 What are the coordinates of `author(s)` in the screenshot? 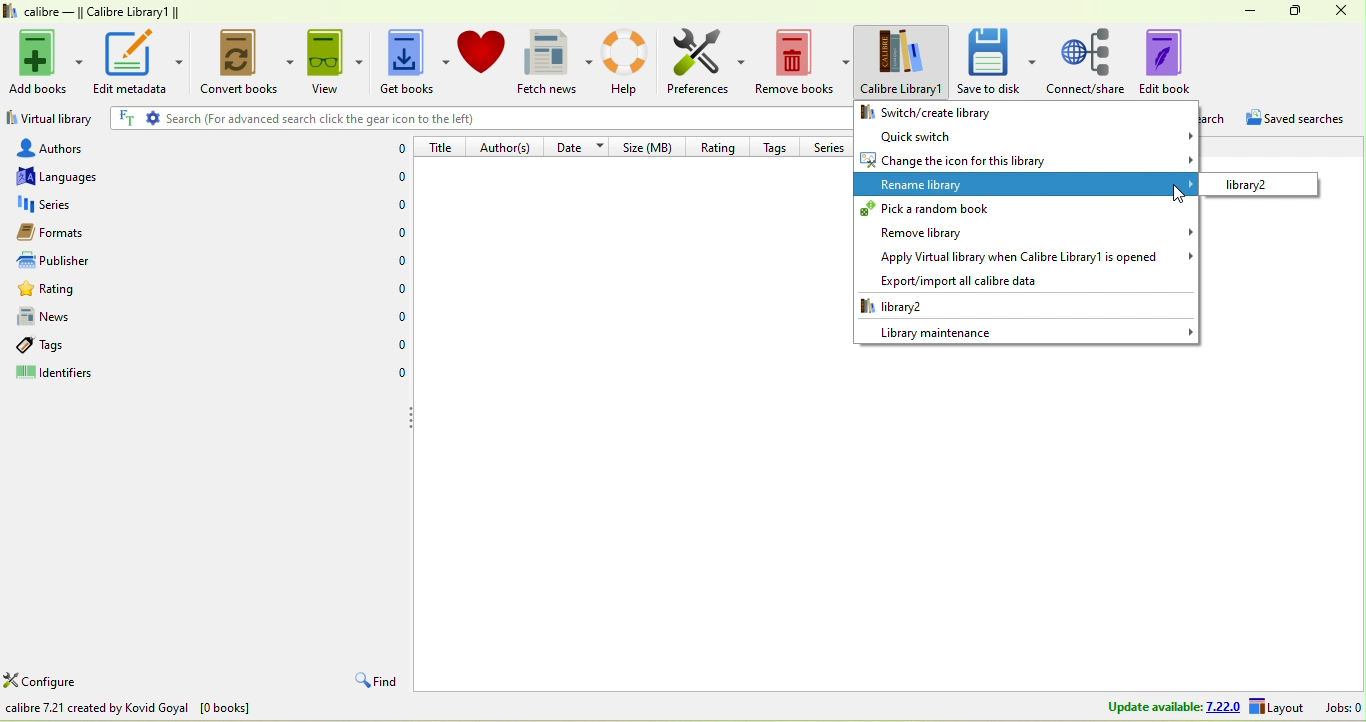 It's located at (508, 146).